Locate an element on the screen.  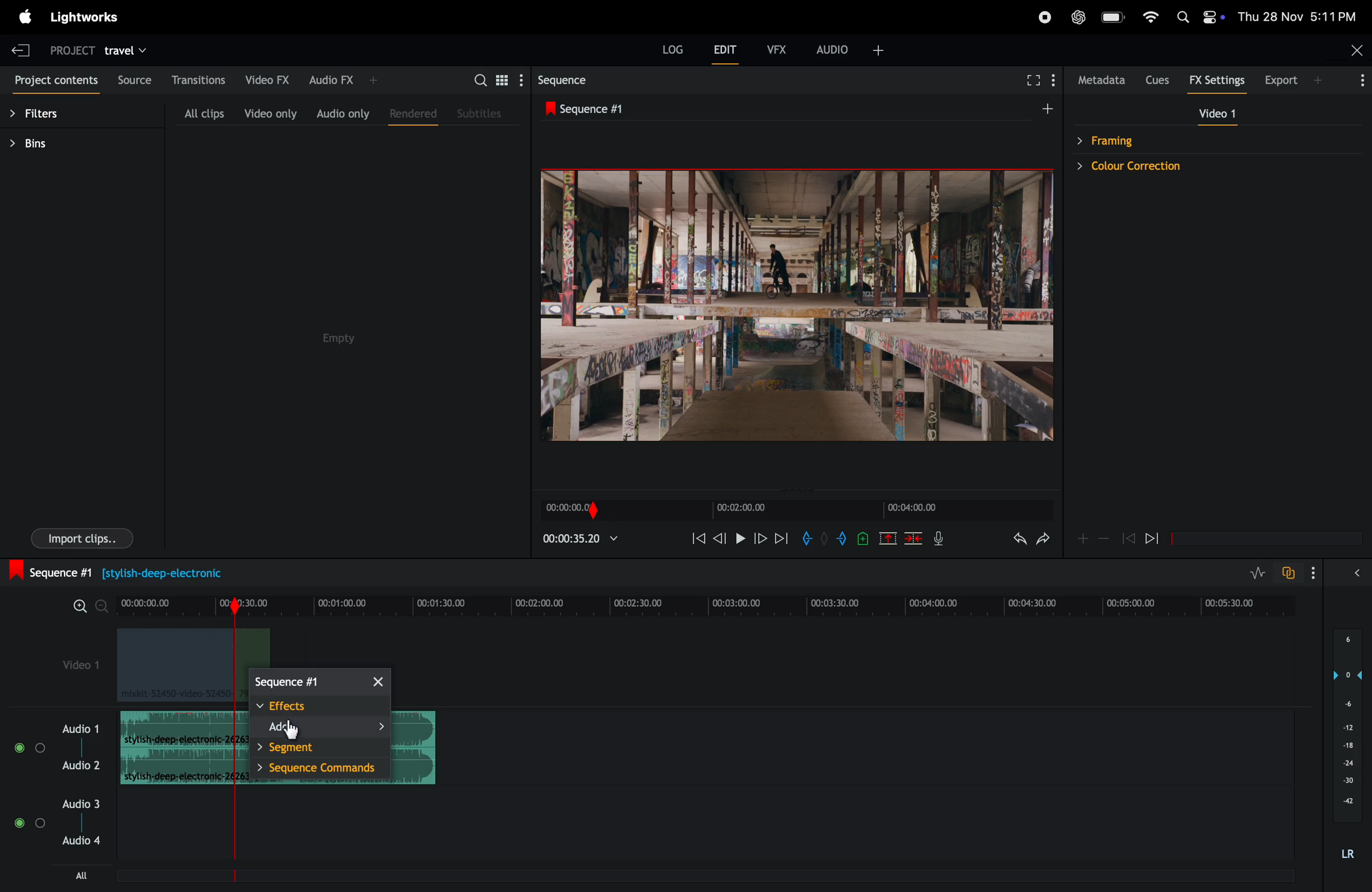
colour correction is located at coordinates (1156, 167).